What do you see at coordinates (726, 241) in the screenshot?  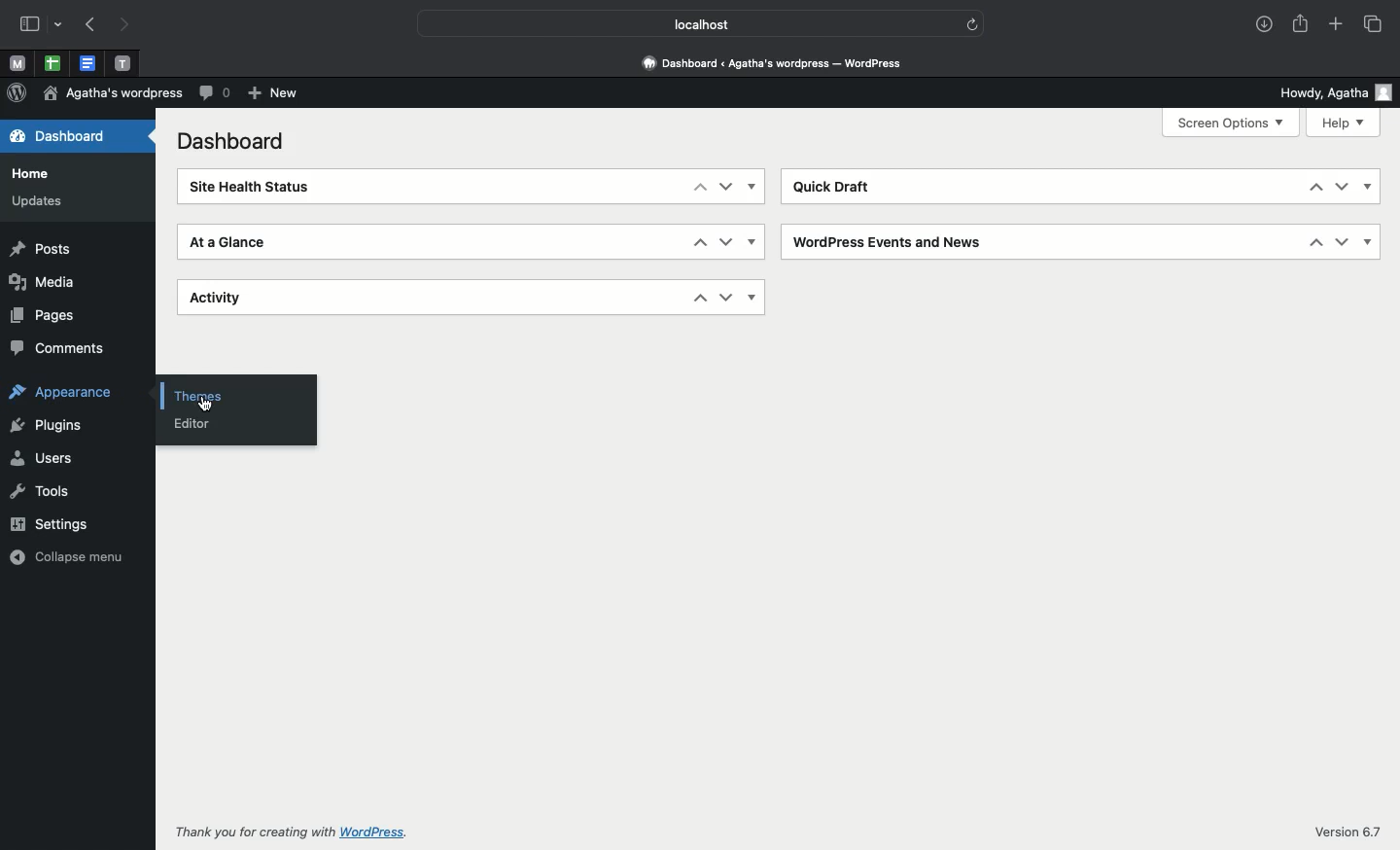 I see `Down` at bounding box center [726, 241].